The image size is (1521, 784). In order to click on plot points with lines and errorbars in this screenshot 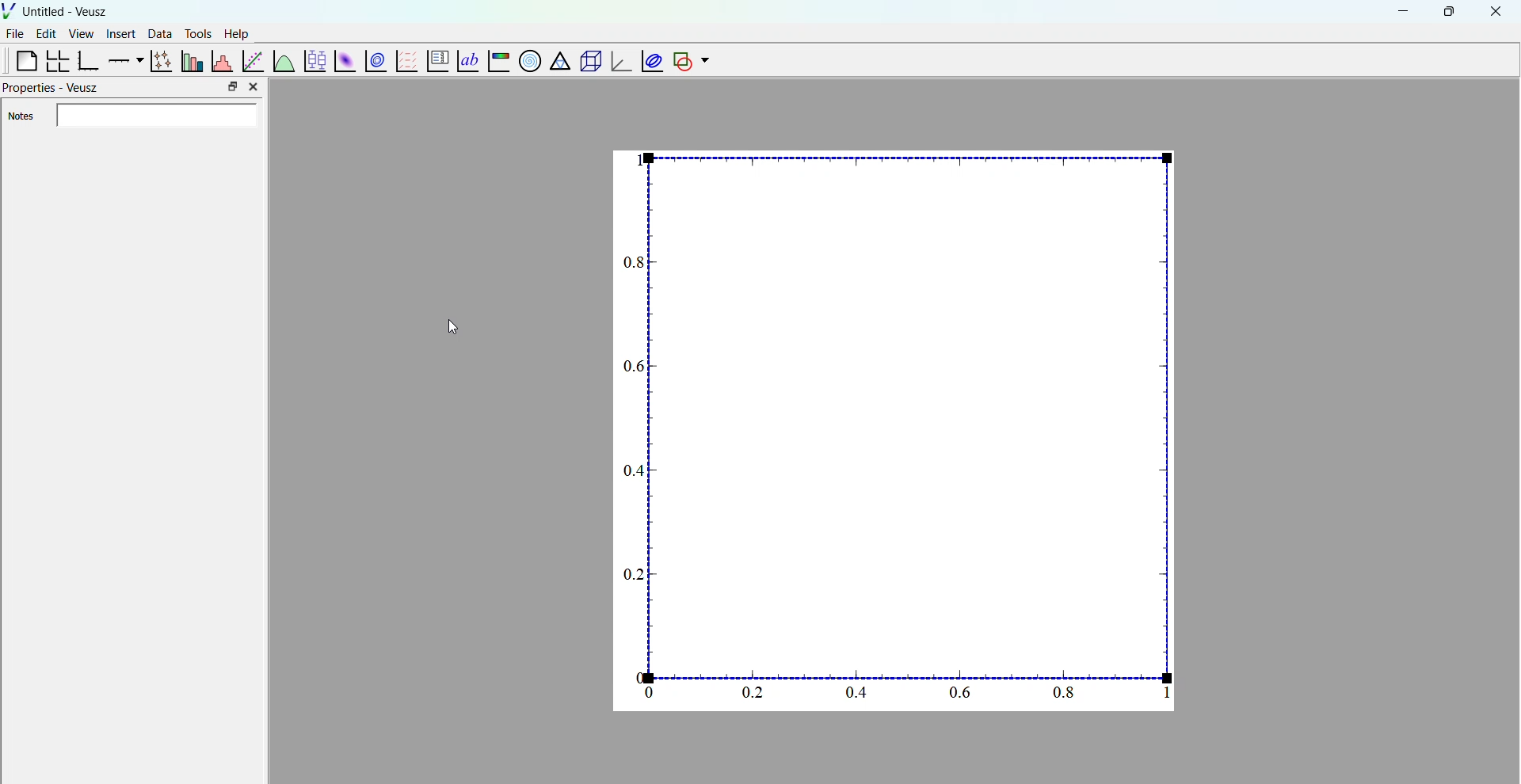, I will do `click(159, 61)`.